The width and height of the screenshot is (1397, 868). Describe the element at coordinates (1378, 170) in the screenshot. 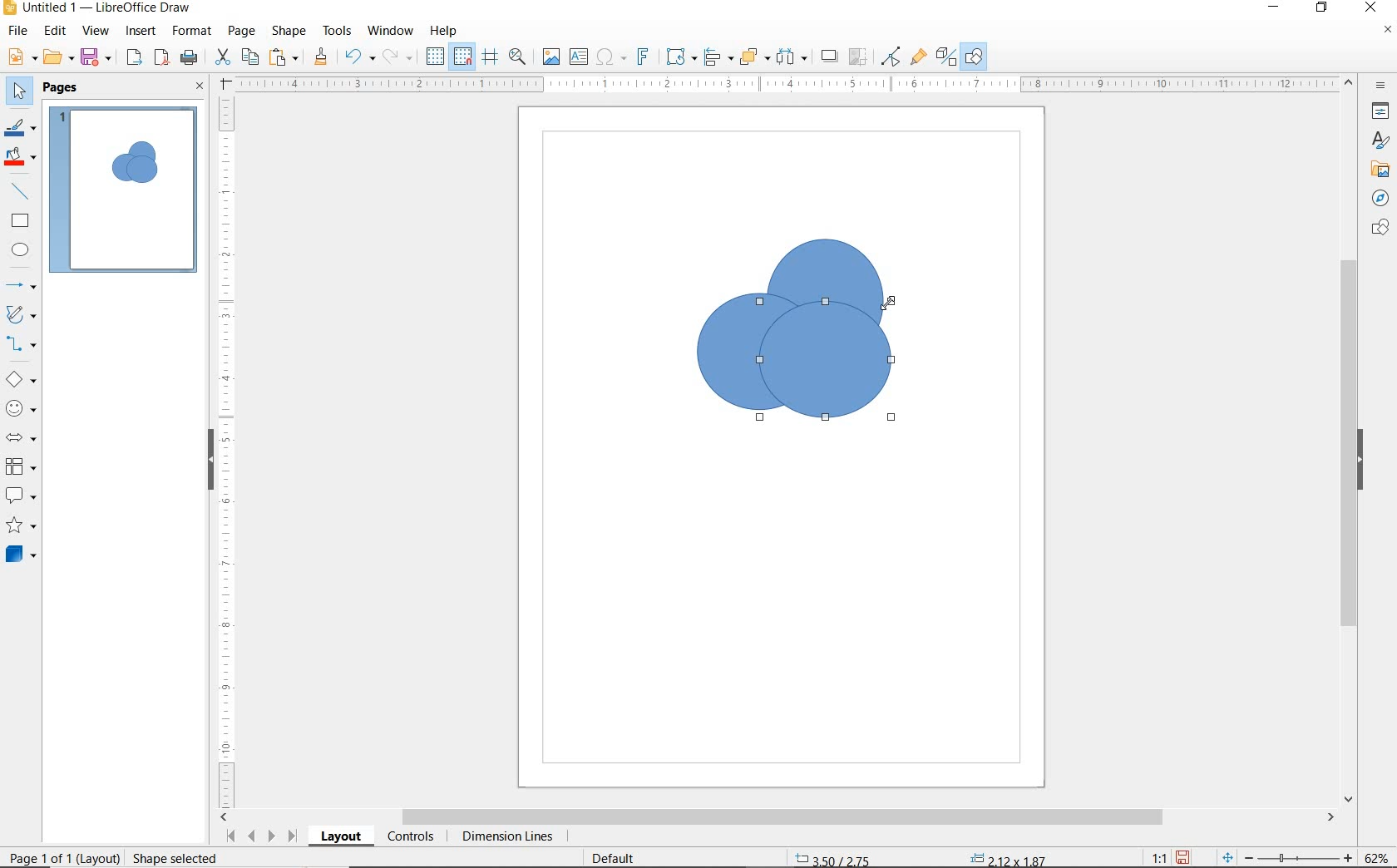

I see `GALLERY` at that location.